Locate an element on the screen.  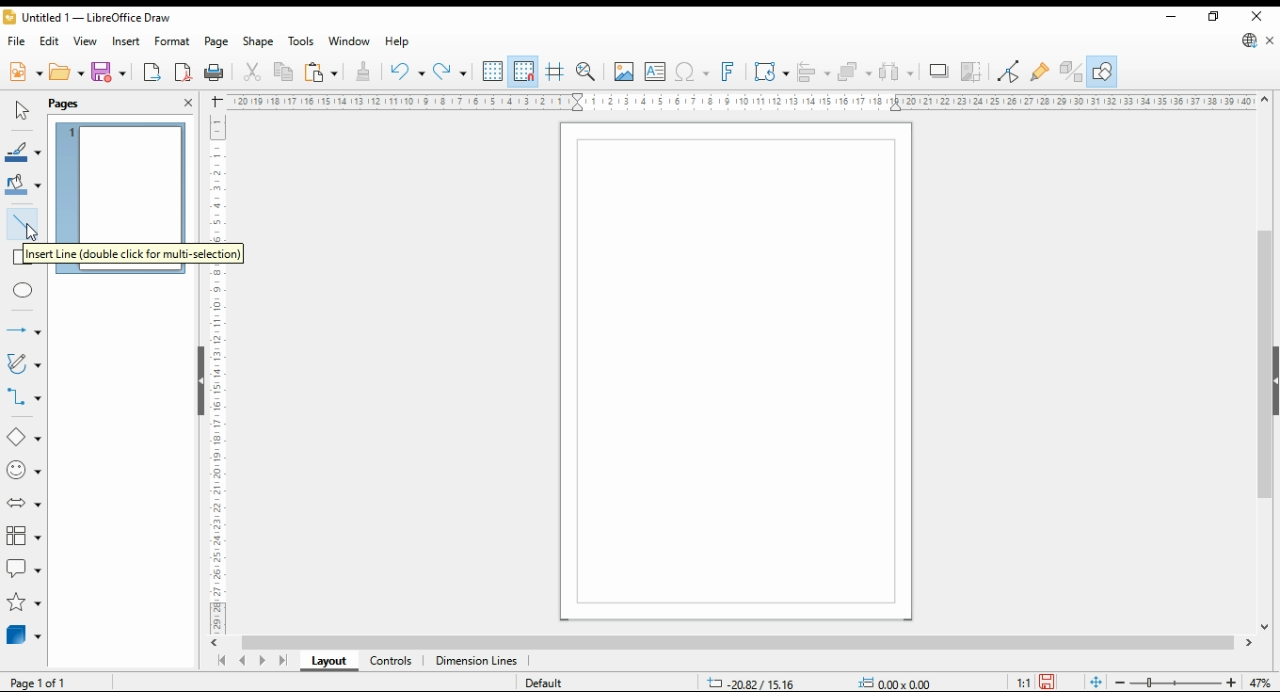
insert line message is located at coordinates (114, 254).